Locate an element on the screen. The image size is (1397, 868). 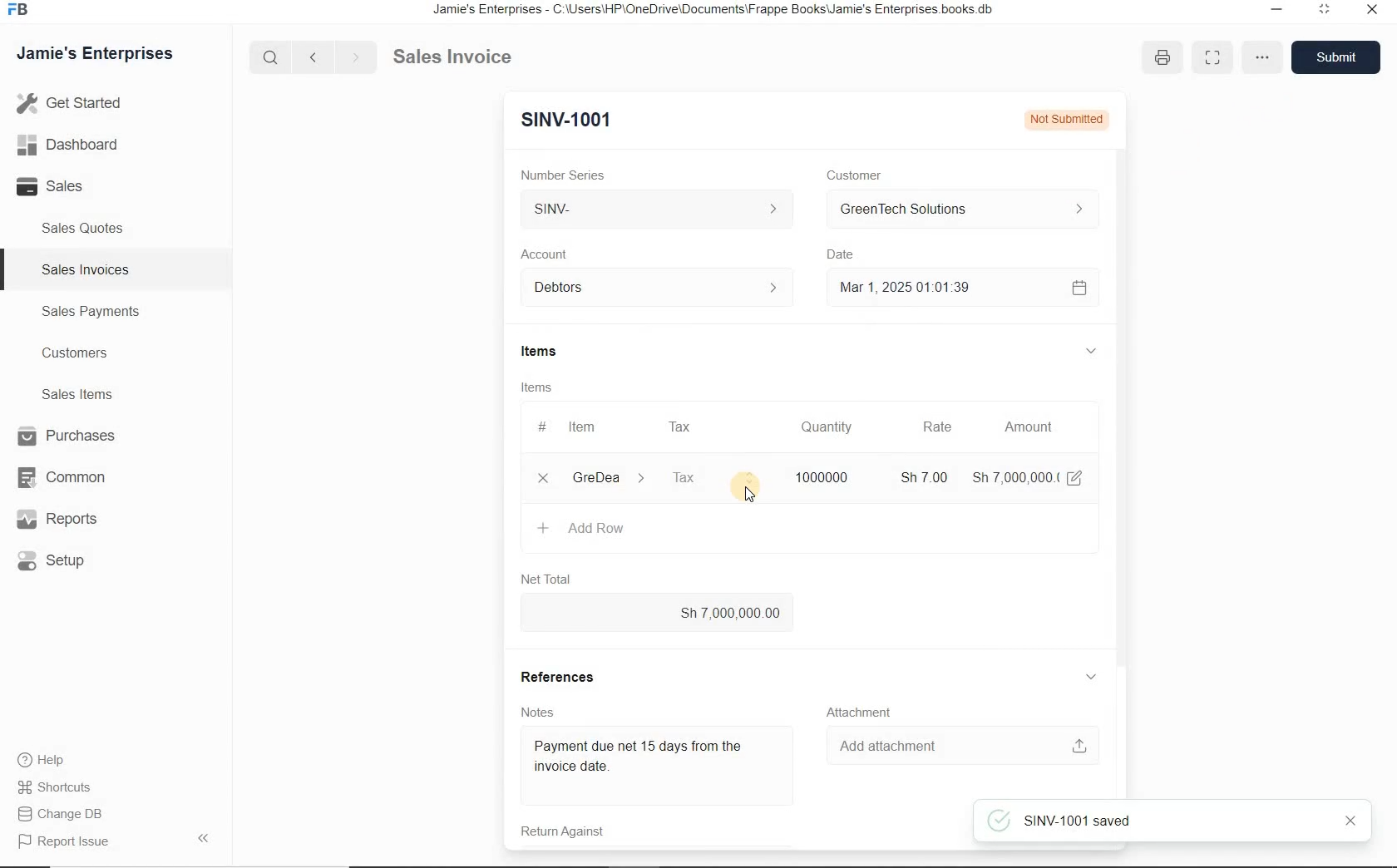
Quantity is located at coordinates (827, 427).